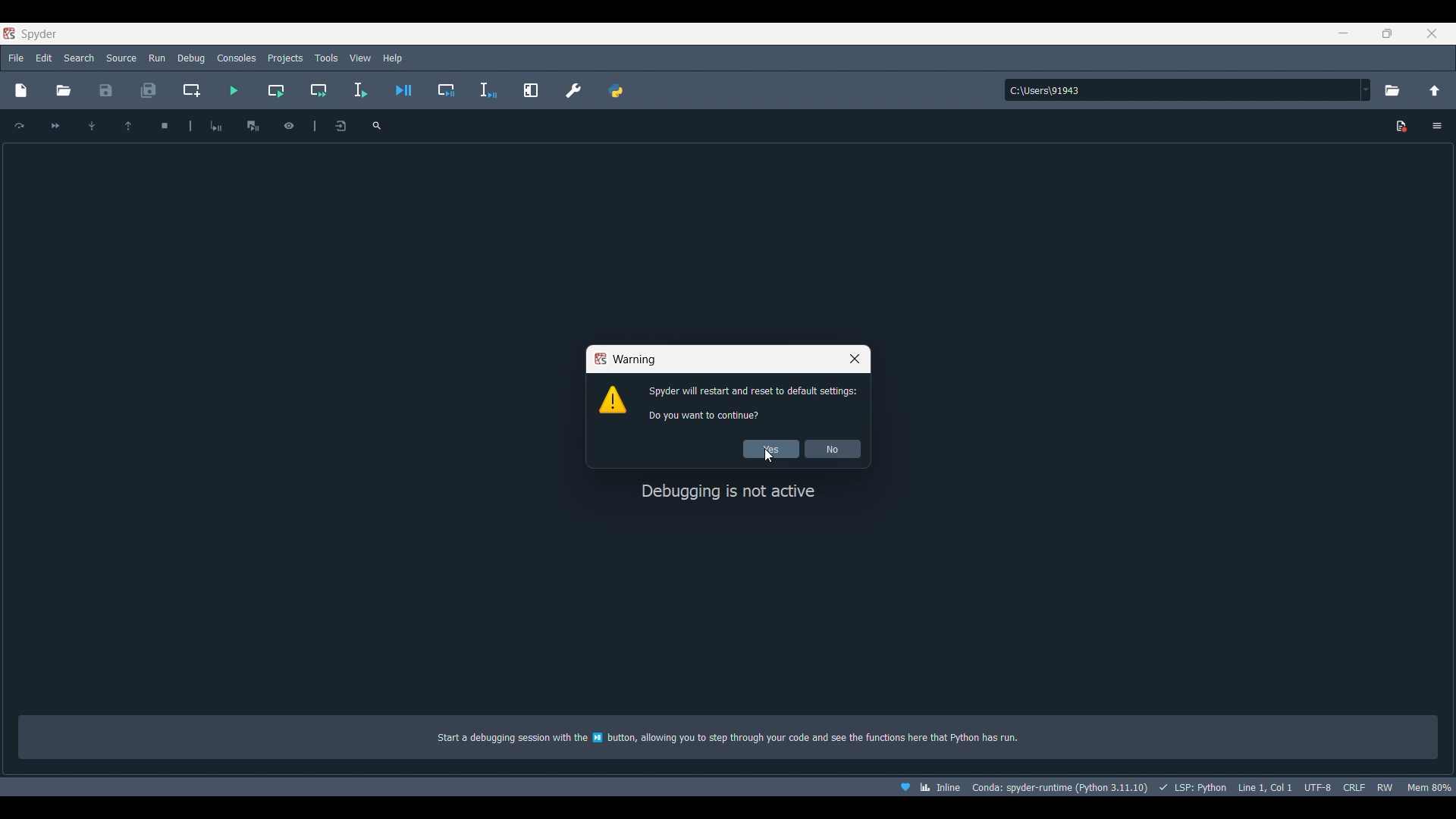 This screenshot has width=1456, height=819. Describe the element at coordinates (1435, 90) in the screenshot. I see `Change to parent directory` at that location.